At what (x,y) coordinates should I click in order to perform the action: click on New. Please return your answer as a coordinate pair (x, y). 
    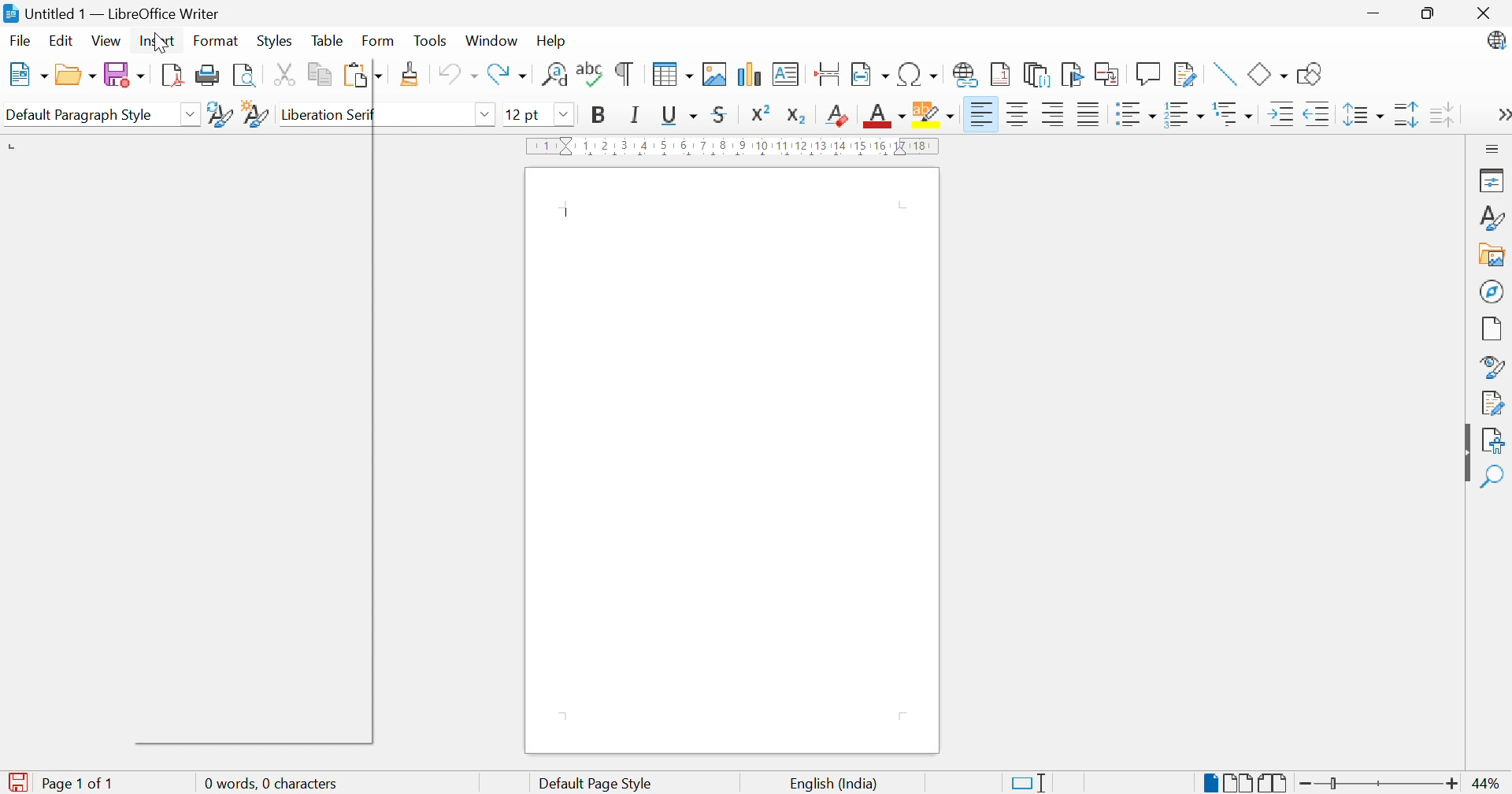
    Looking at the image, I should click on (28, 73).